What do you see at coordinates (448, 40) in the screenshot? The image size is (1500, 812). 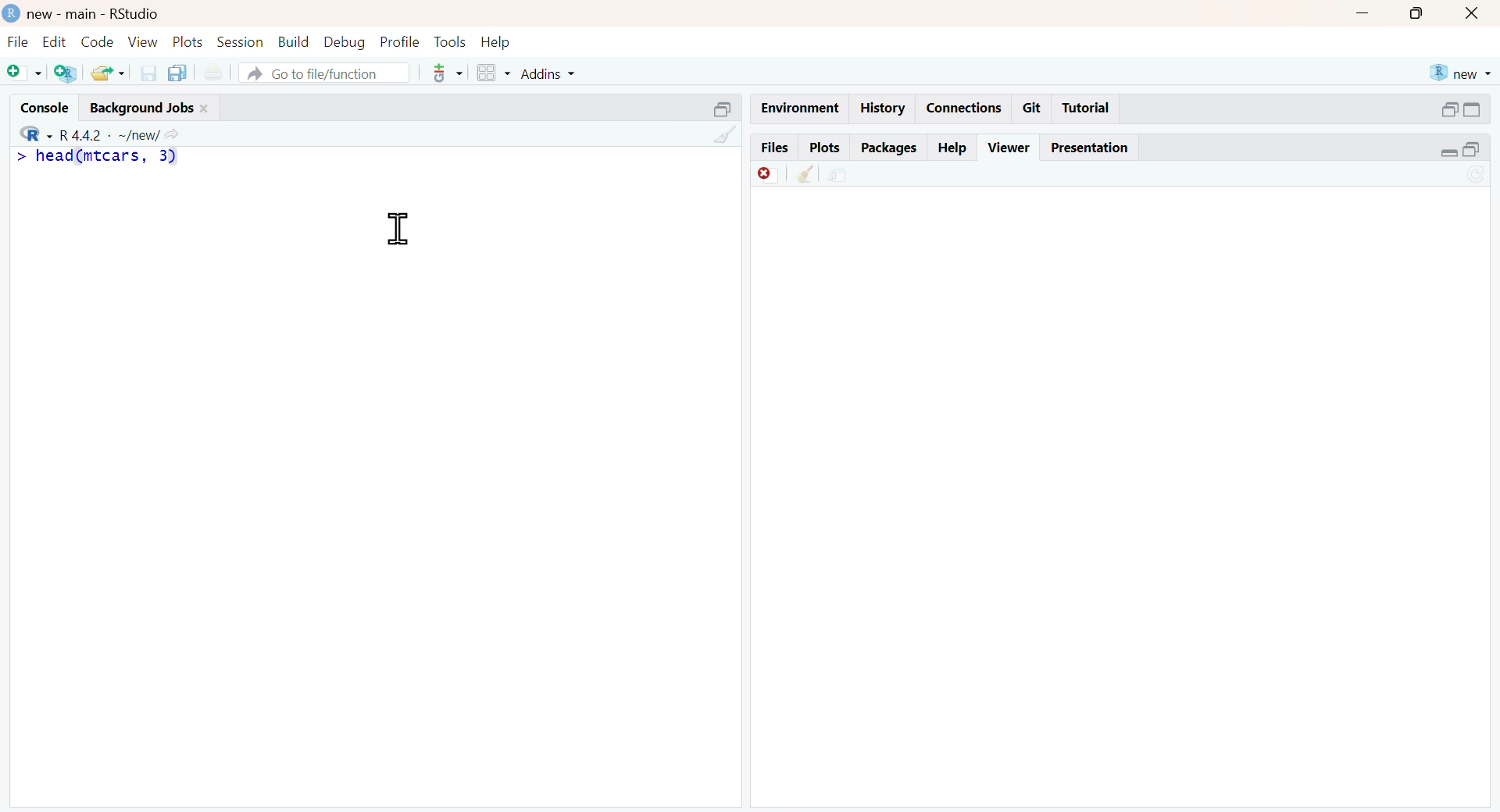 I see `Tools` at bounding box center [448, 40].